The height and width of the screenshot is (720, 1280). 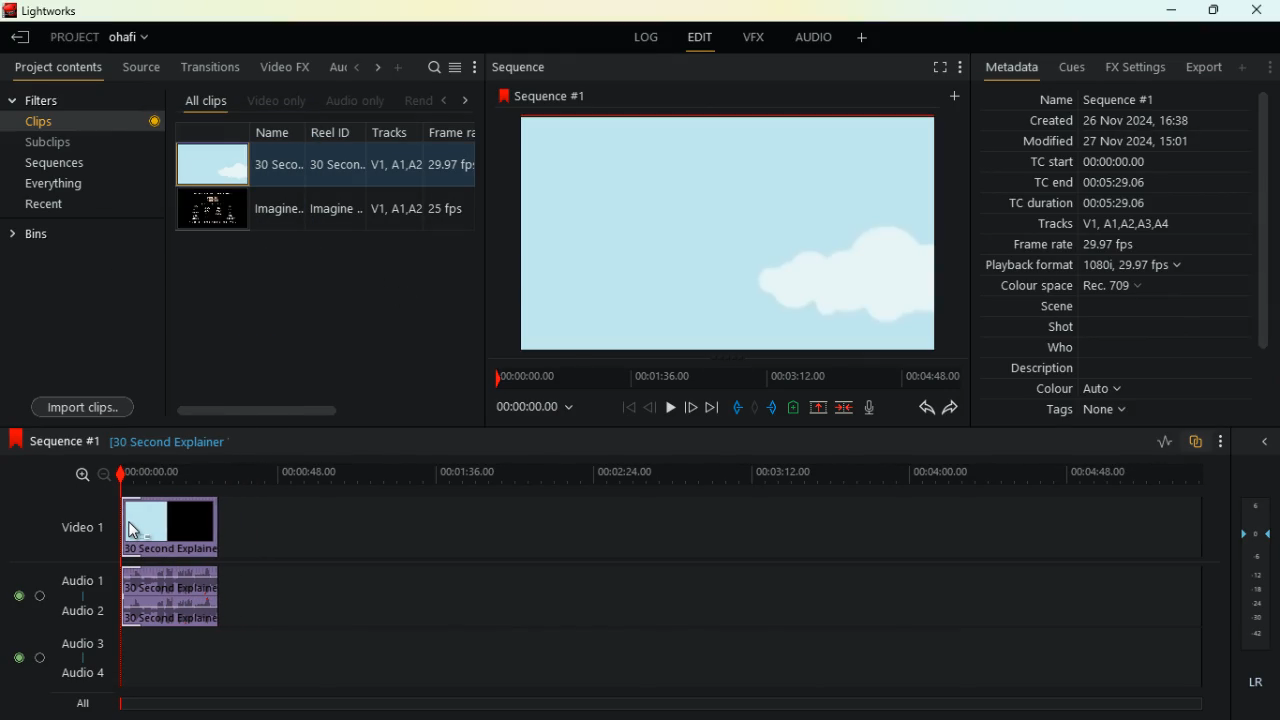 I want to click on overlap, so click(x=1194, y=444).